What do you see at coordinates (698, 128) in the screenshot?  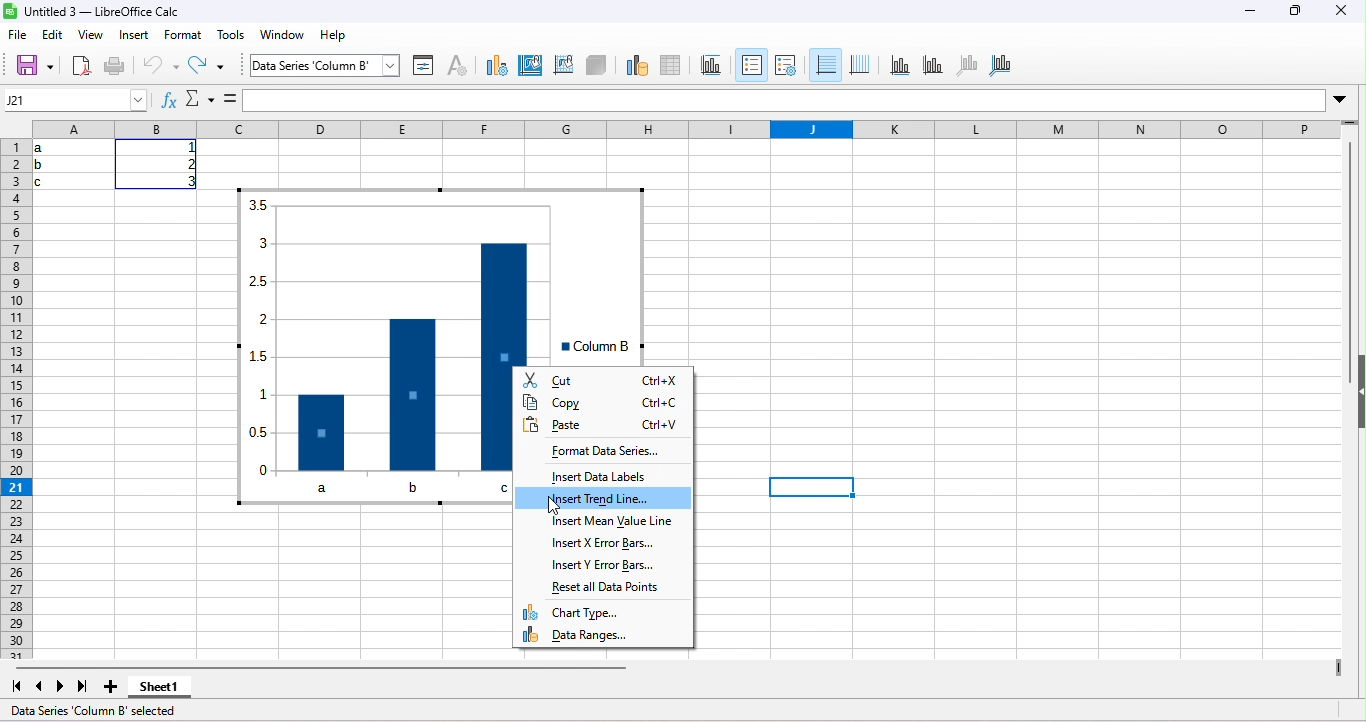 I see `column headings` at bounding box center [698, 128].